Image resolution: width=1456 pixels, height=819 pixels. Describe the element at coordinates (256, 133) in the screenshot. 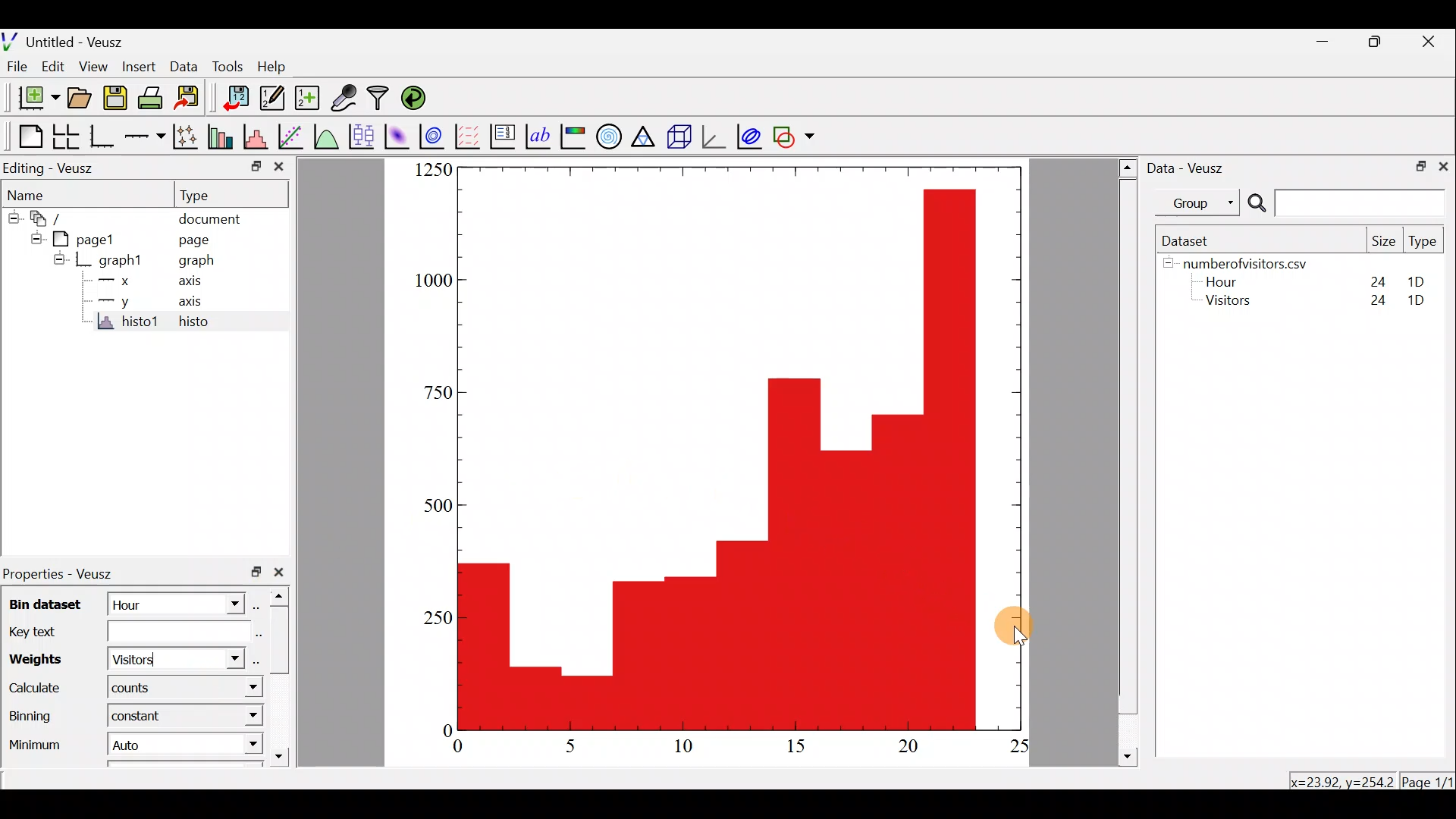

I see `histogram of a dataset` at that location.